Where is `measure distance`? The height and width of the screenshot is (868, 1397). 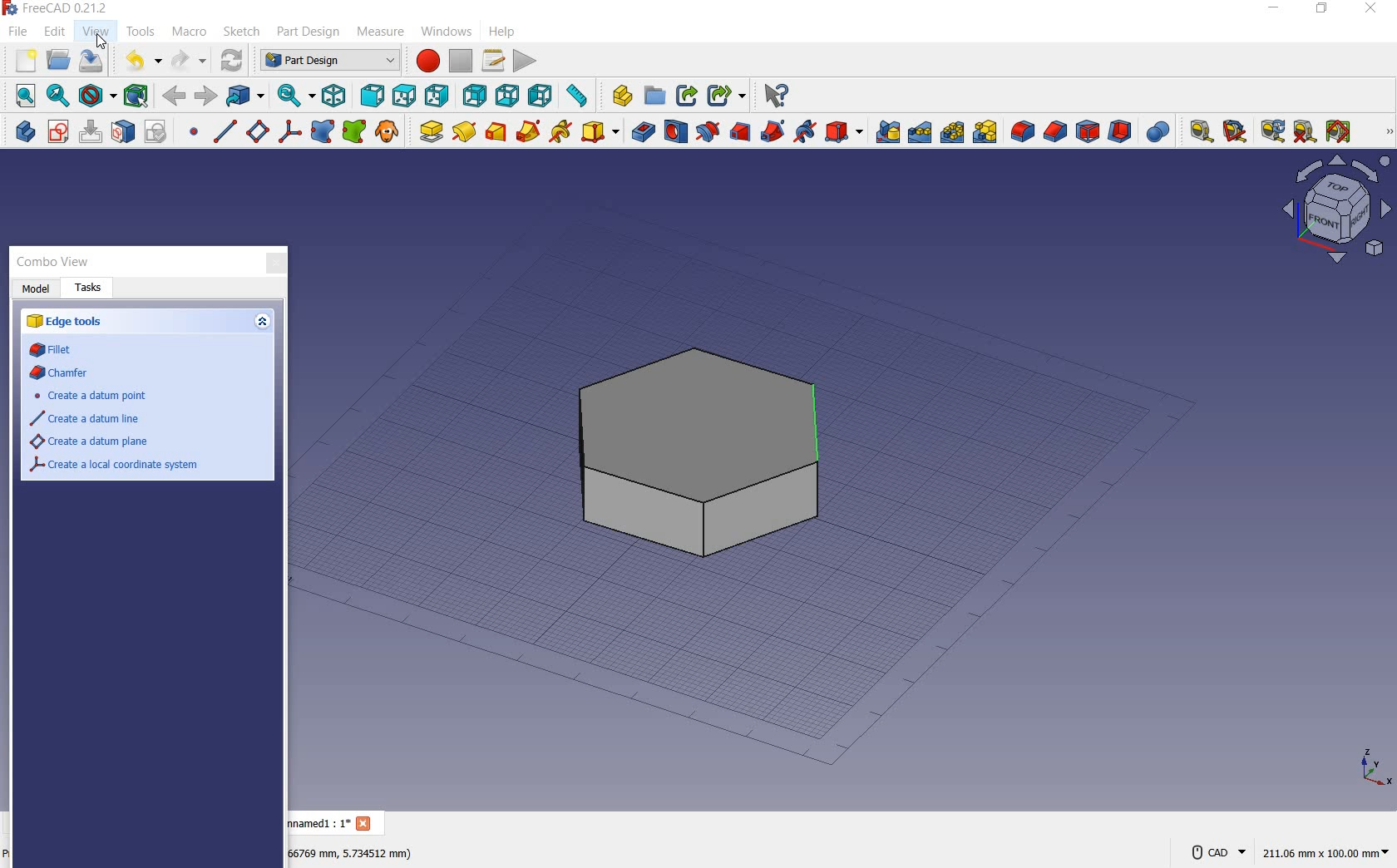
measure distance is located at coordinates (580, 96).